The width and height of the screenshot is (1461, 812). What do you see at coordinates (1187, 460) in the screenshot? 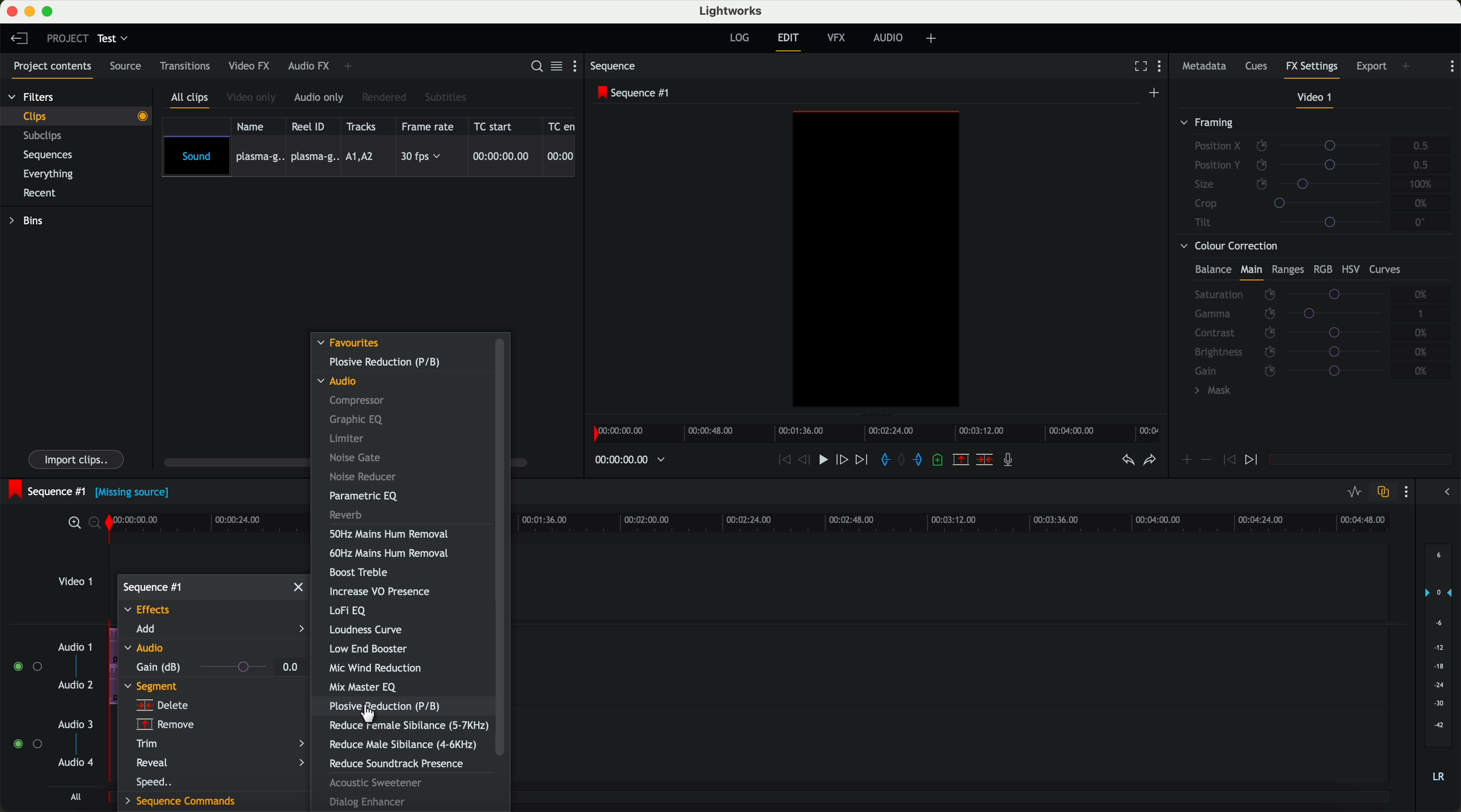
I see `add keyframe at the current position` at bounding box center [1187, 460].